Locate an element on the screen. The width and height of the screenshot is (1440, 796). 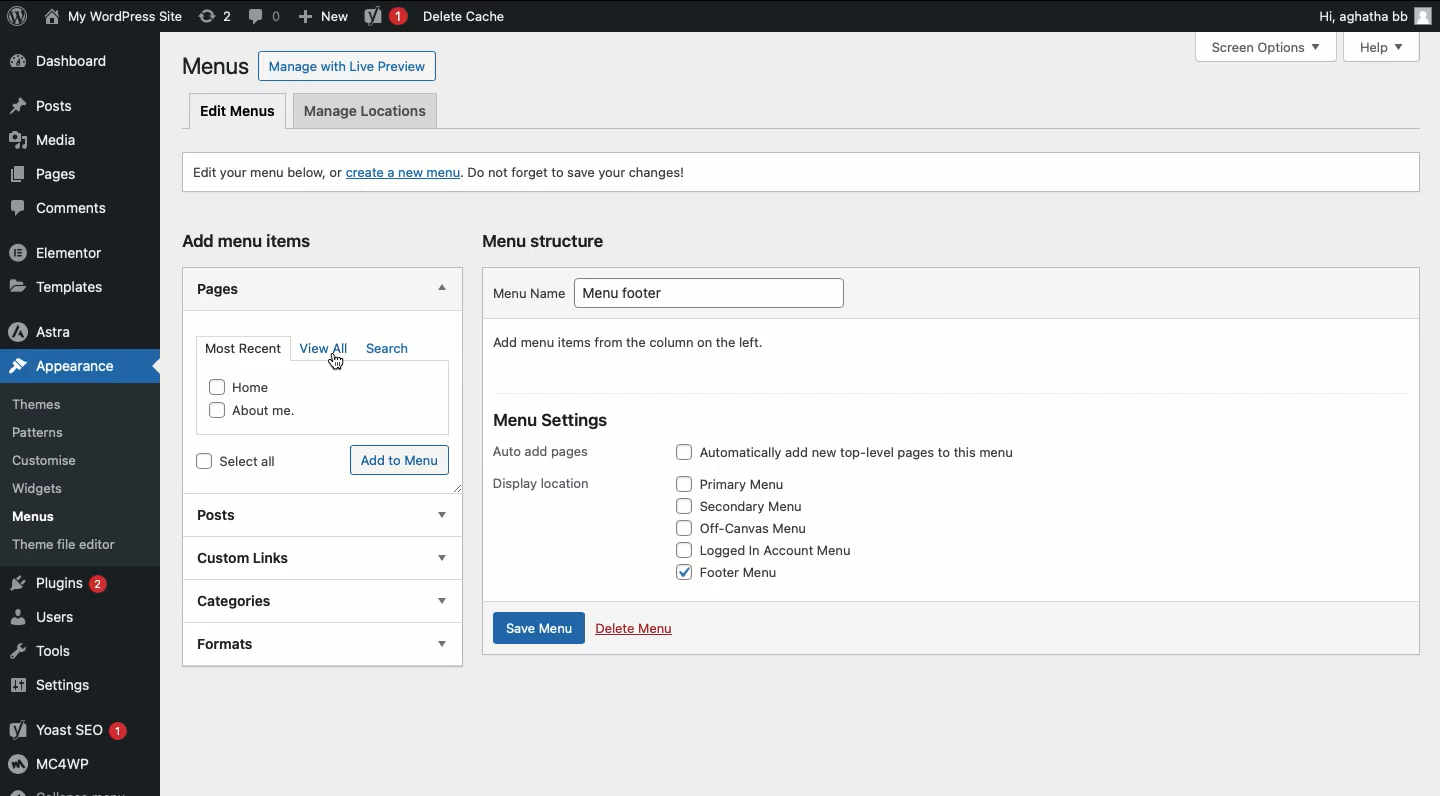
Yoast is located at coordinates (384, 17).